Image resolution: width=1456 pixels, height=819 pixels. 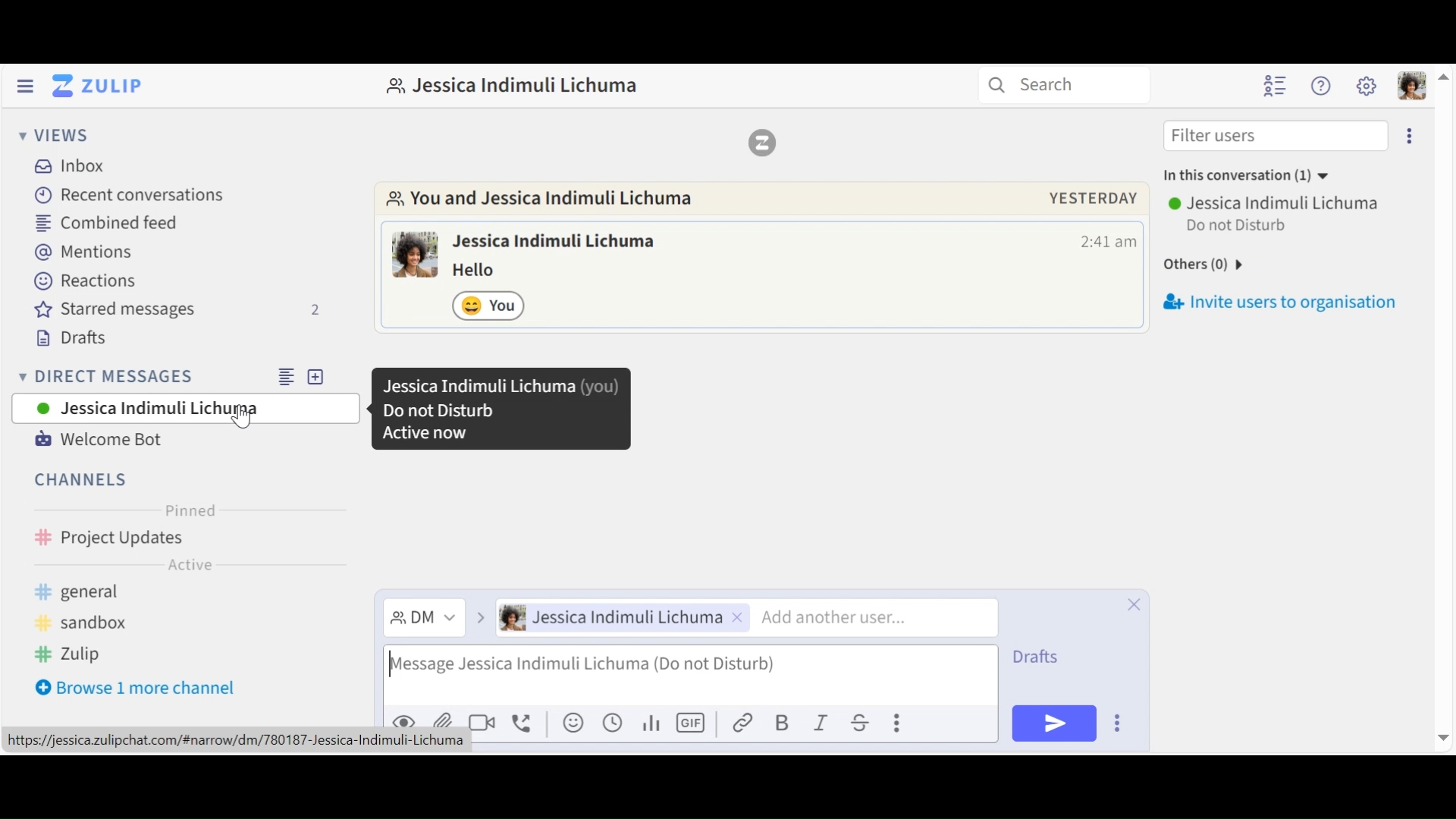 I want to click on Strikethrough, so click(x=858, y=723).